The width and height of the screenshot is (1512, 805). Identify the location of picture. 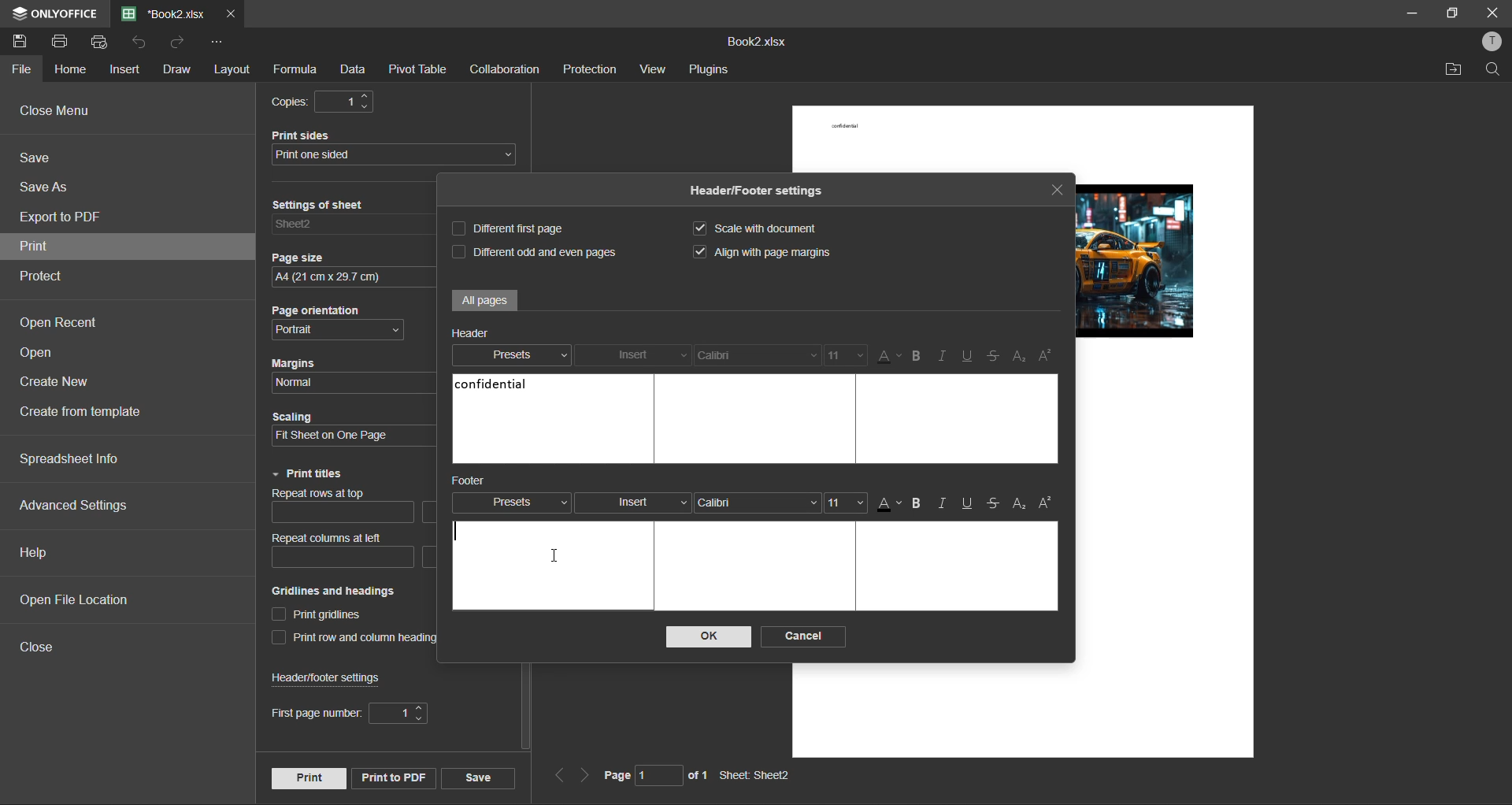
(1134, 261).